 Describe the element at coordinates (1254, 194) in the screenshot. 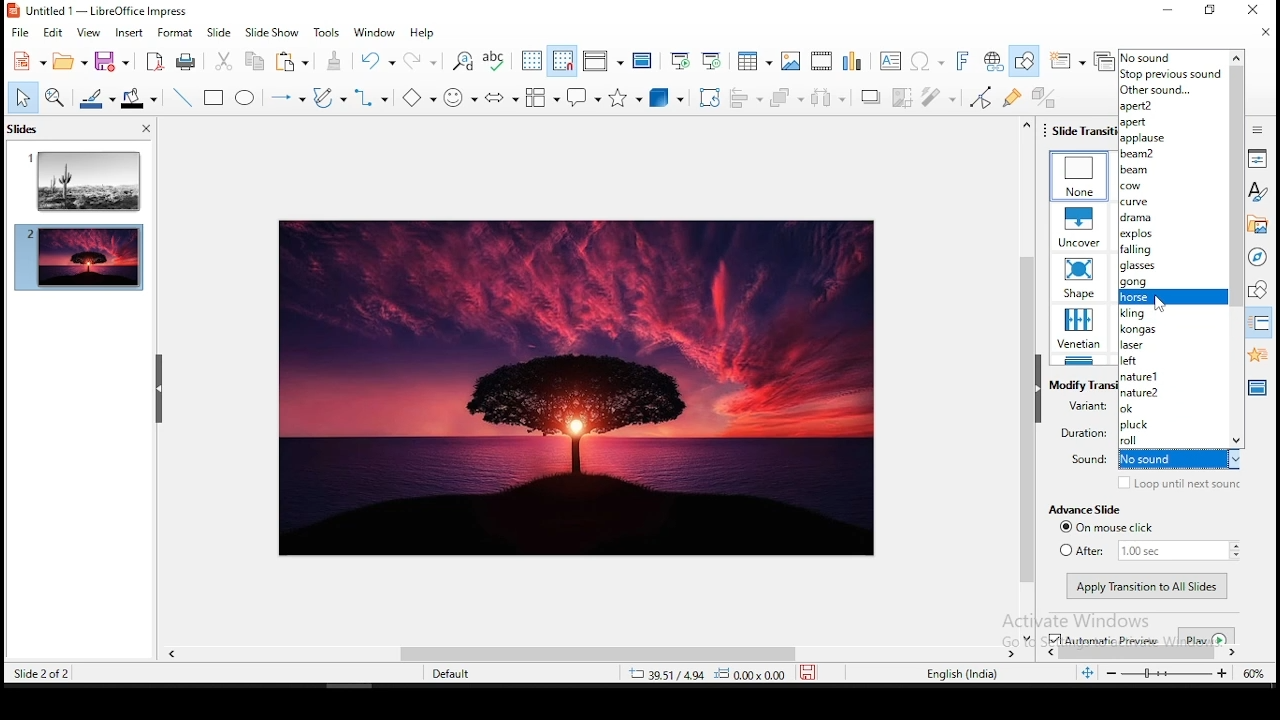

I see `styles` at that location.